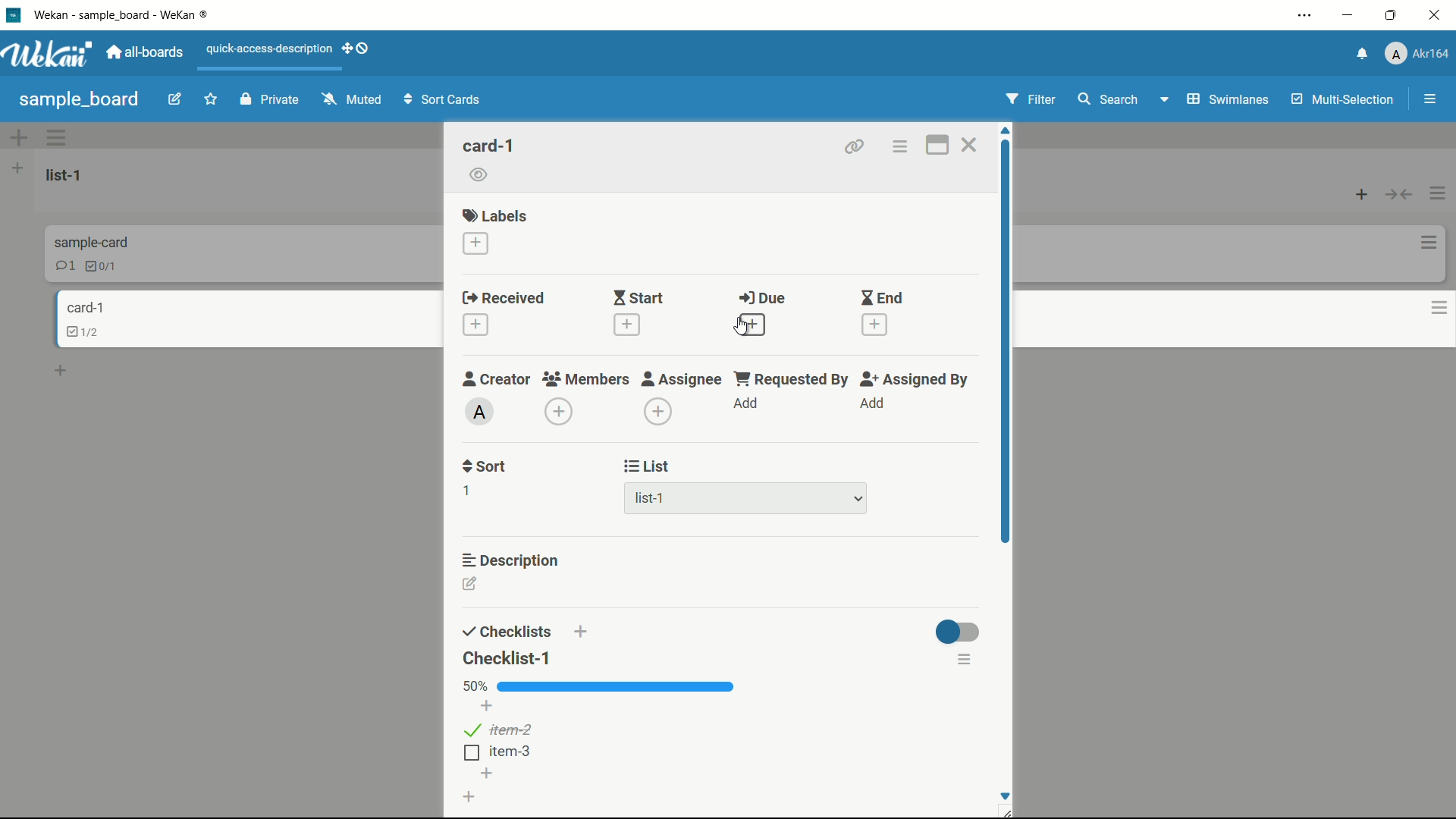 The image size is (1456, 819). Describe the element at coordinates (629, 326) in the screenshot. I see `add date` at that location.